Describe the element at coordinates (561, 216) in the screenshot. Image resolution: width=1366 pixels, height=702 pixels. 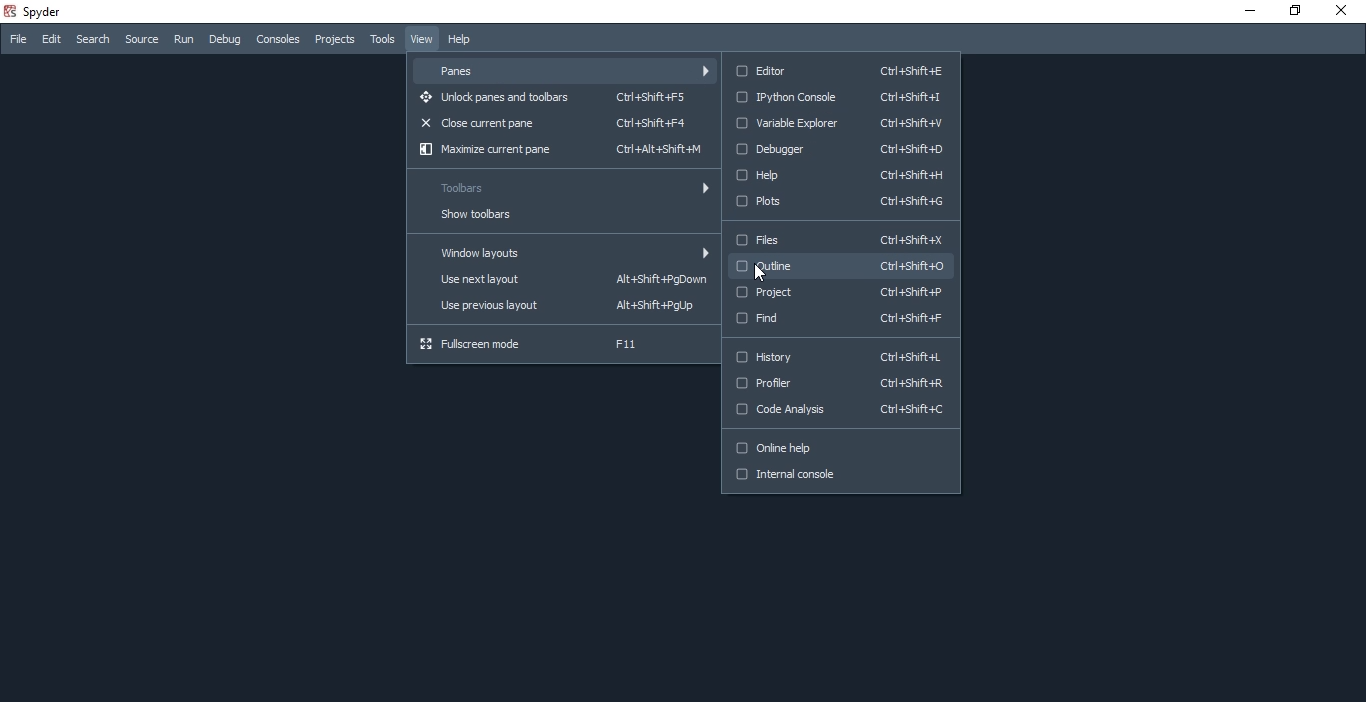
I see `Show toolbars` at that location.